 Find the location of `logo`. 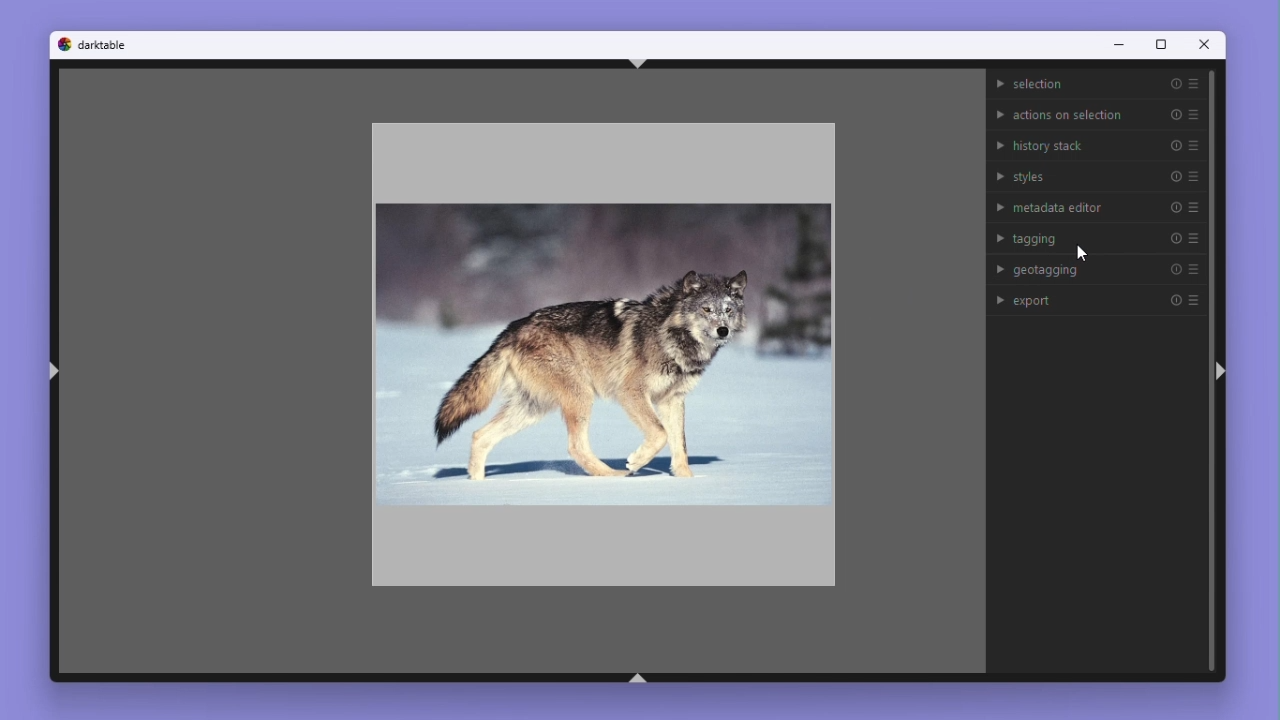

logo is located at coordinates (63, 44).